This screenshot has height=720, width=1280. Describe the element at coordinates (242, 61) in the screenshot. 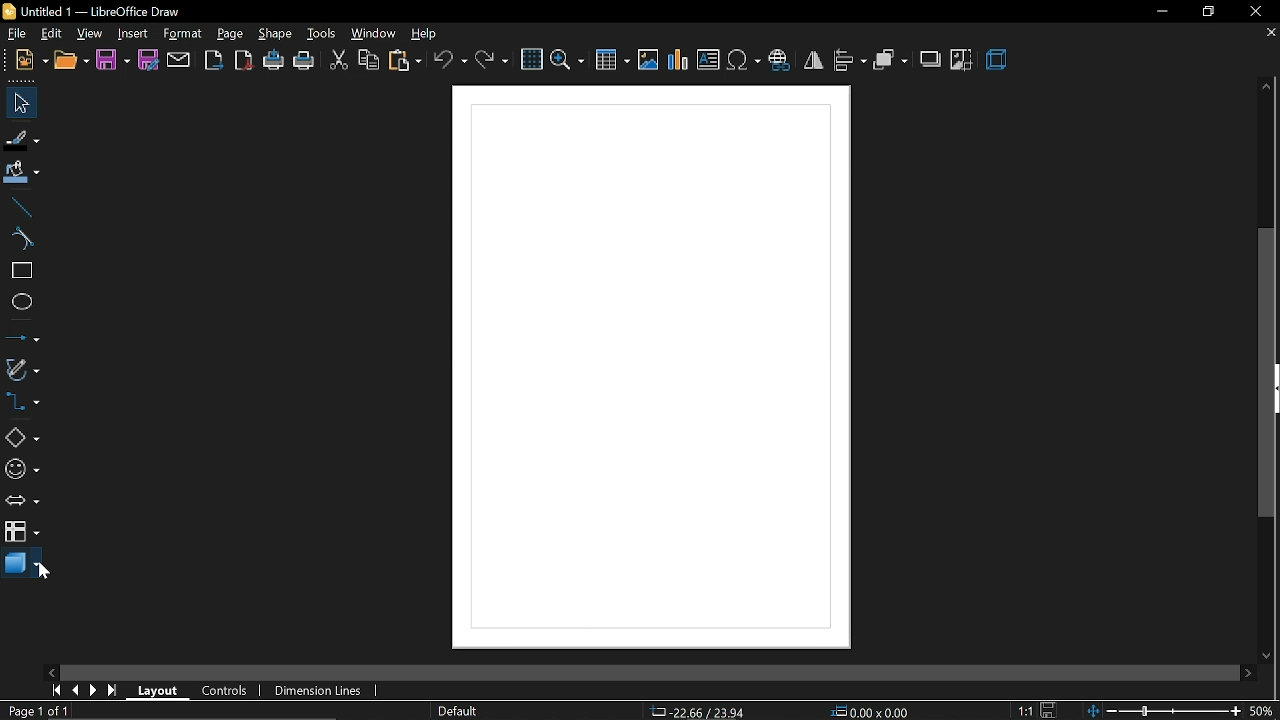

I see `export as pdf` at that location.